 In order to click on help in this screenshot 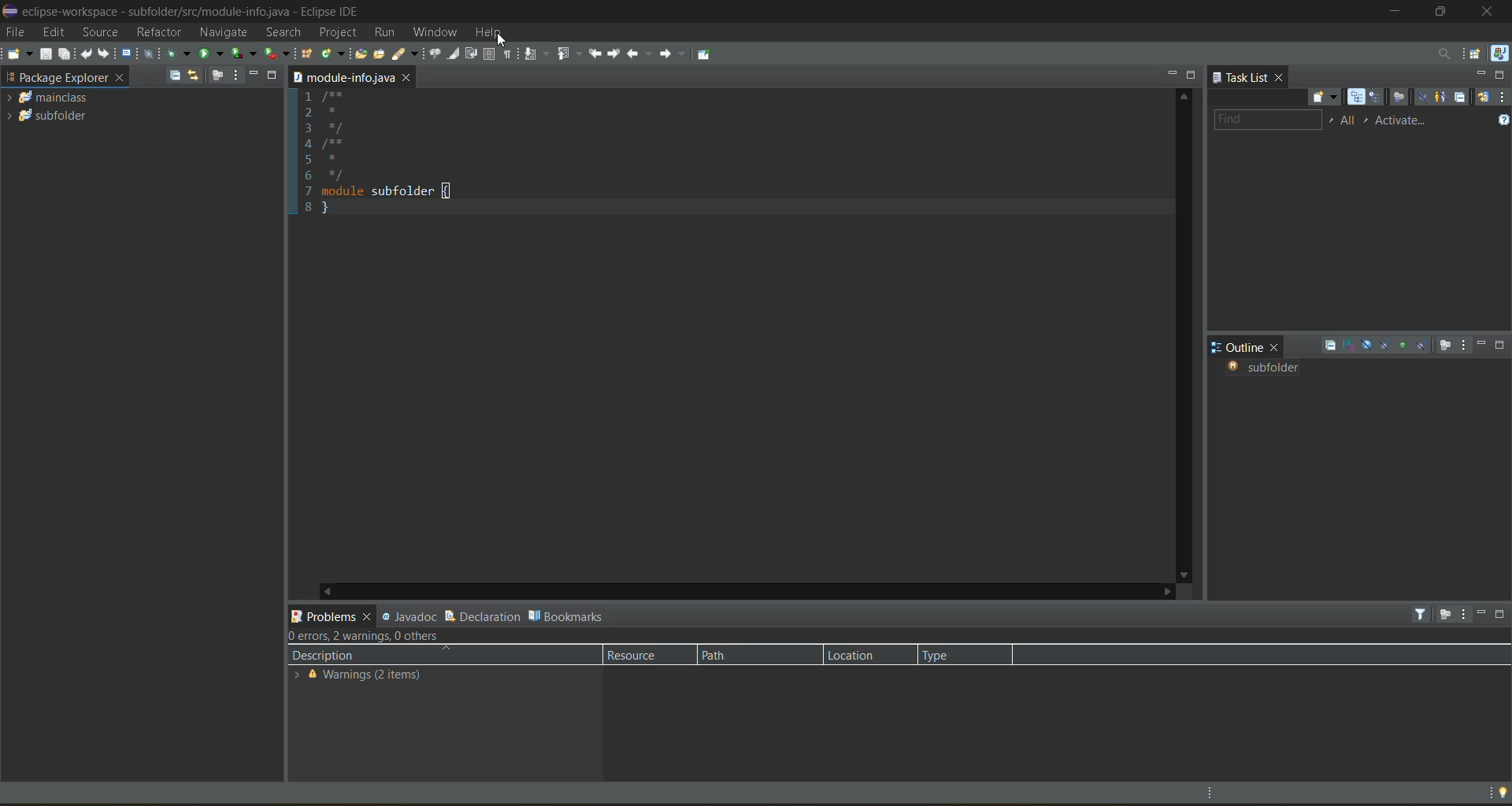, I will do `click(494, 31)`.